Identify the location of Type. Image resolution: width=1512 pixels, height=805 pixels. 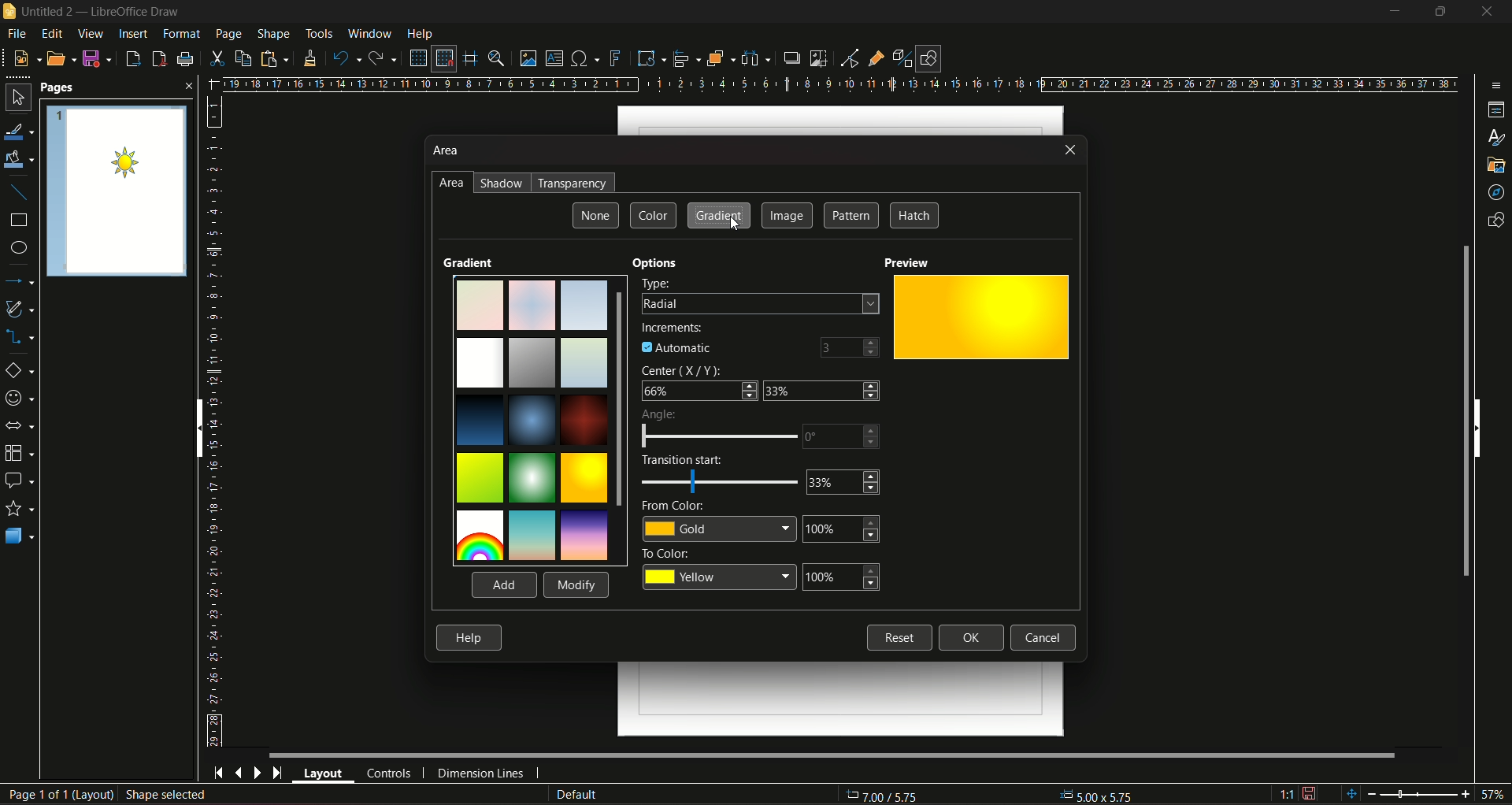
(760, 296).